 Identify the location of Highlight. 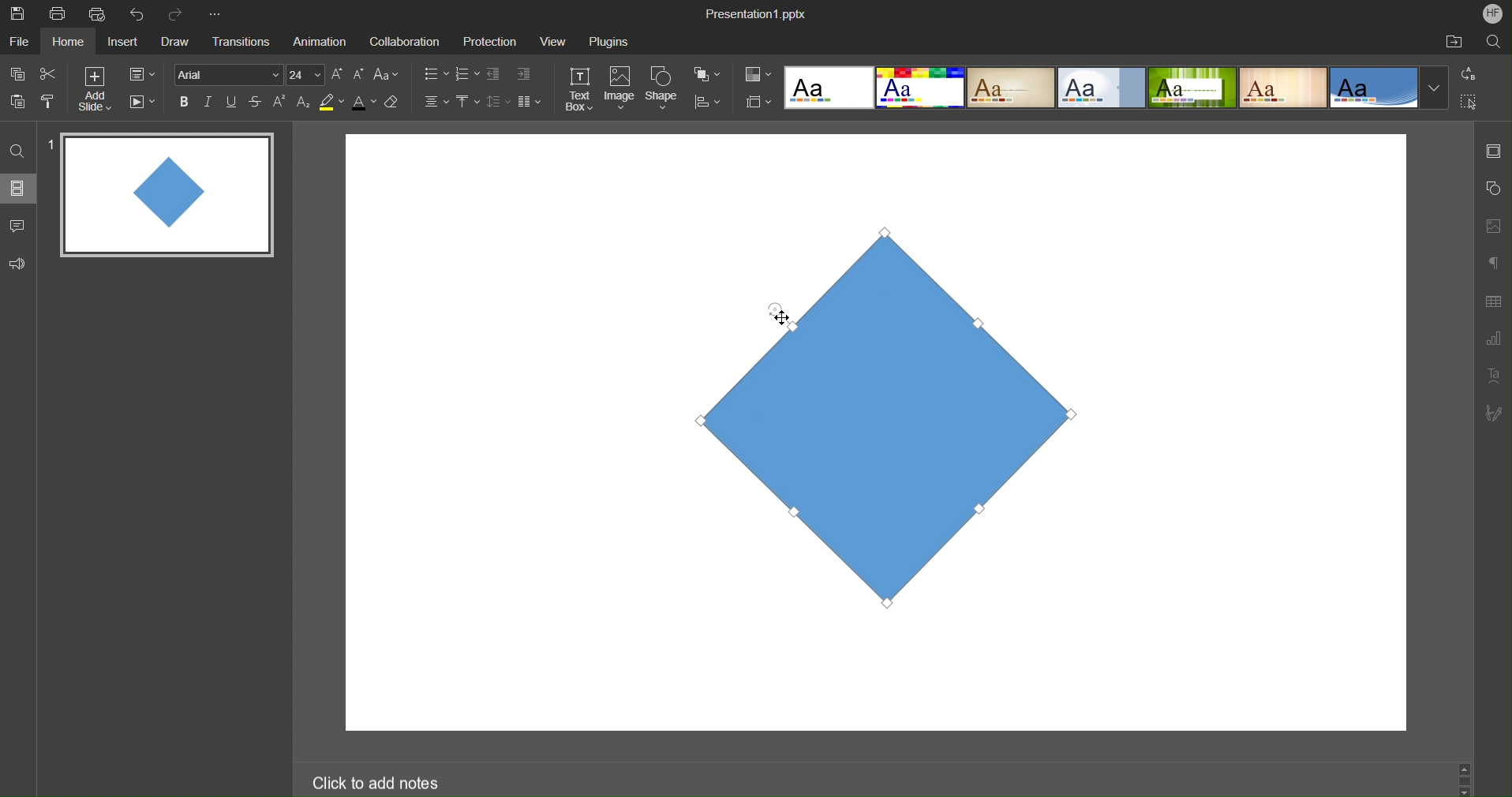
(332, 102).